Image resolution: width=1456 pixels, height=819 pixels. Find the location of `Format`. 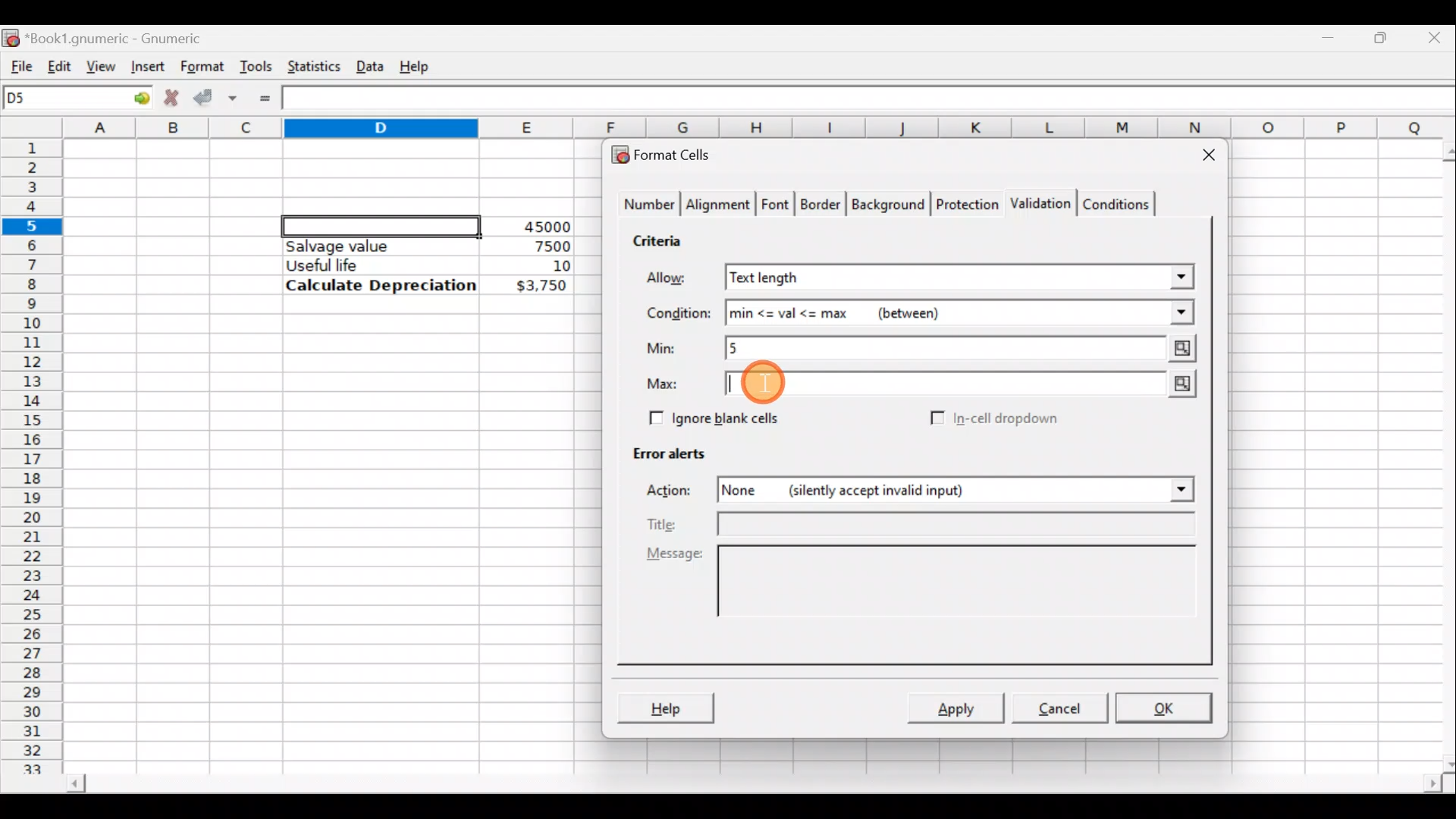

Format is located at coordinates (201, 67).